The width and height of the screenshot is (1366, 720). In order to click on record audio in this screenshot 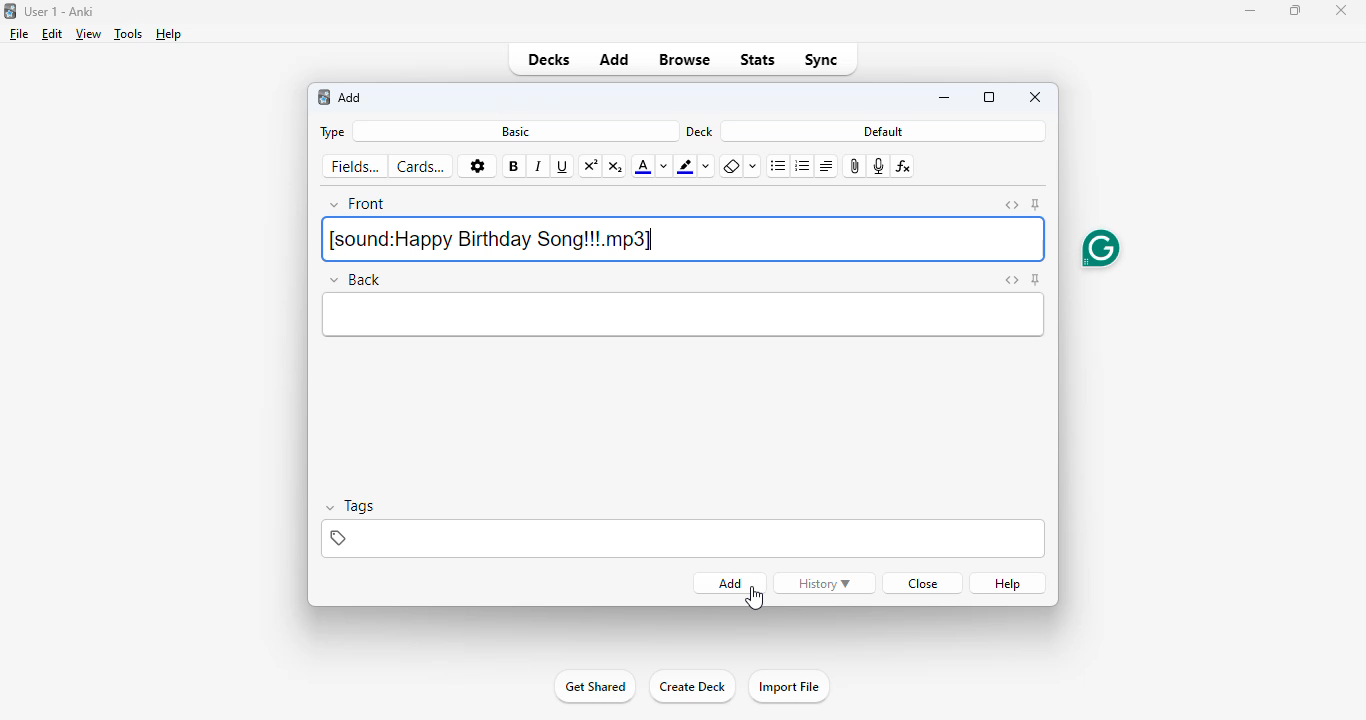, I will do `click(877, 167)`.